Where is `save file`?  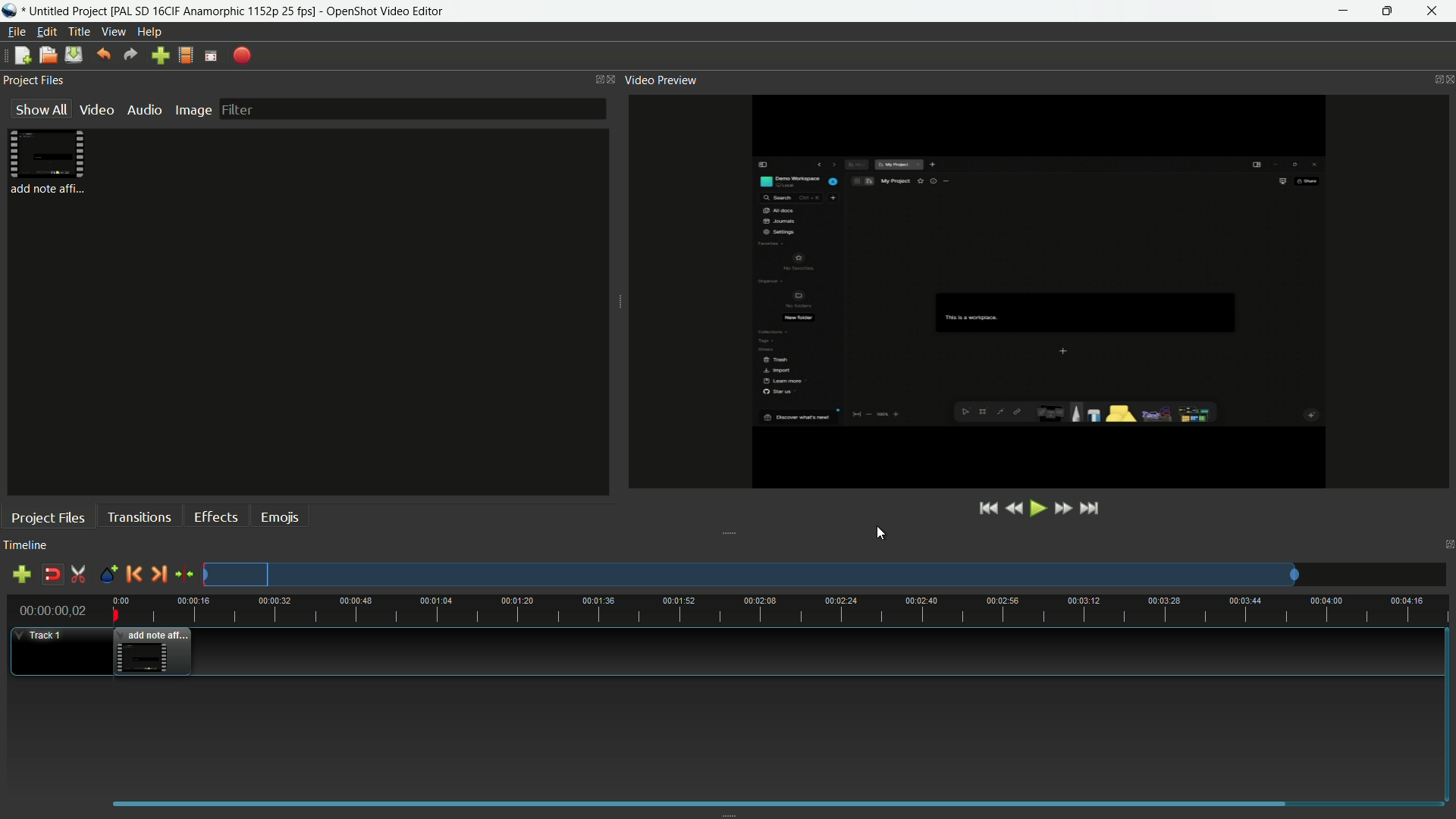 save file is located at coordinates (74, 55).